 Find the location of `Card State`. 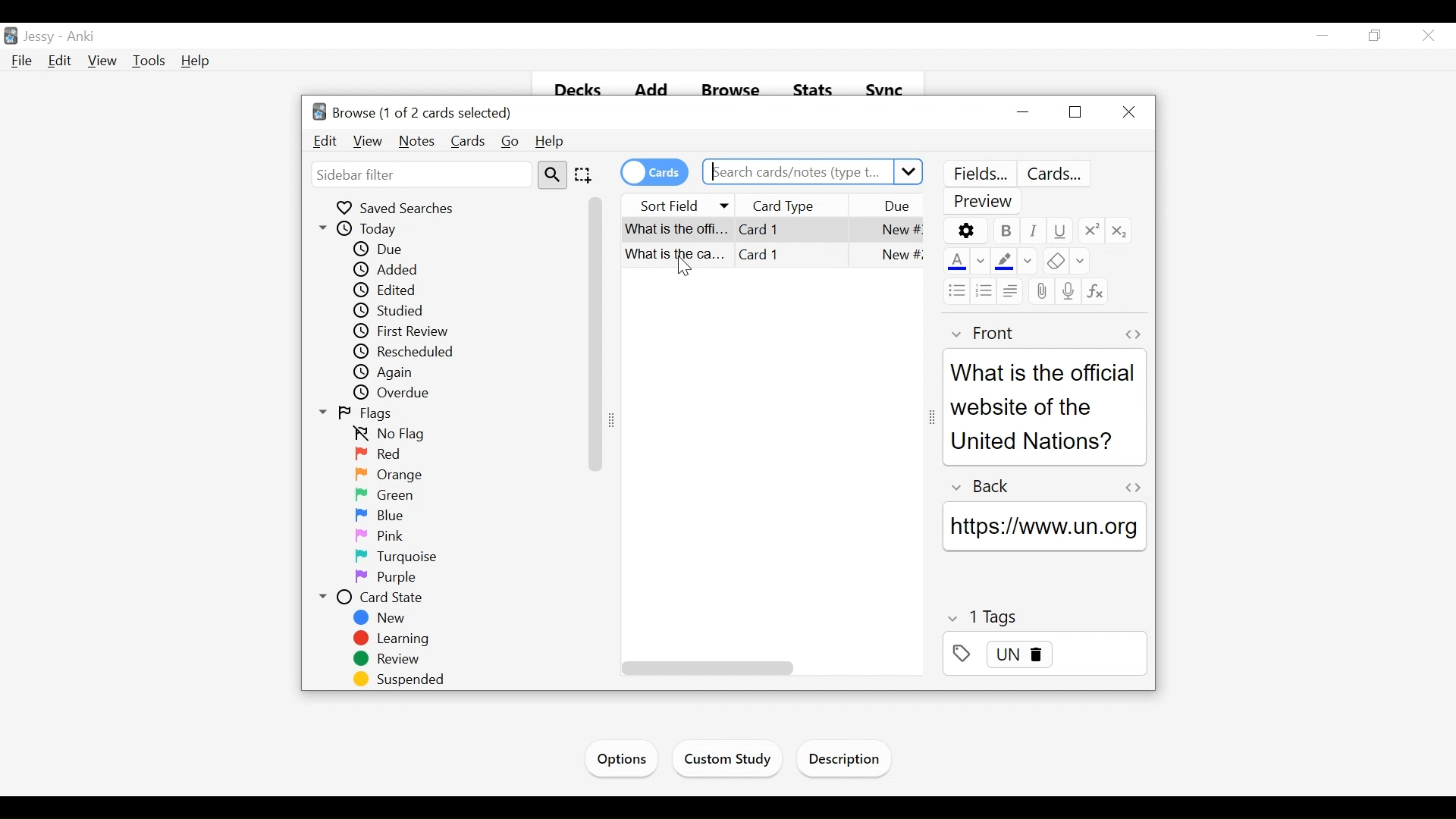

Card State is located at coordinates (371, 598).